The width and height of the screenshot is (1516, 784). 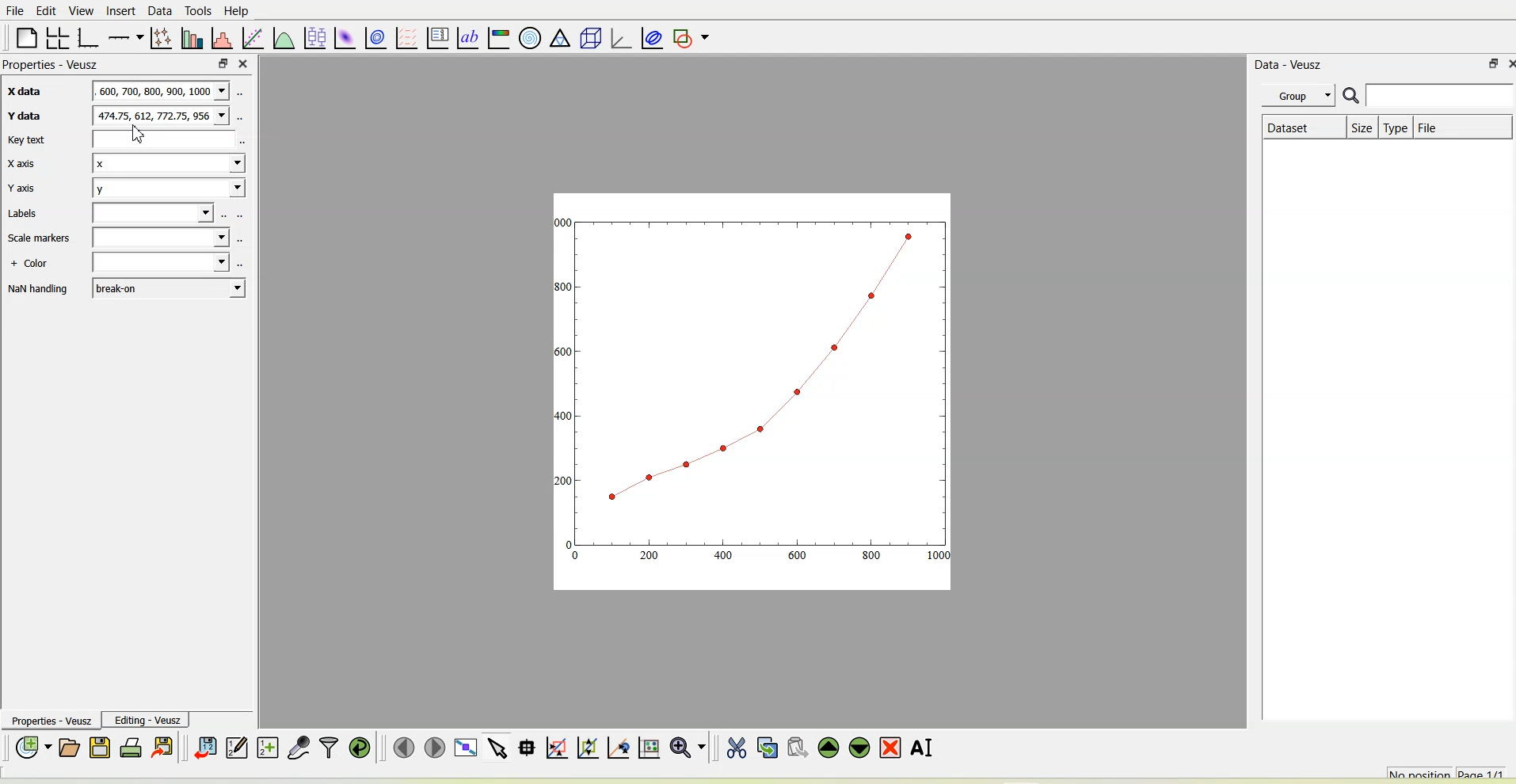 I want to click on Copy the selected widget, so click(x=768, y=748).